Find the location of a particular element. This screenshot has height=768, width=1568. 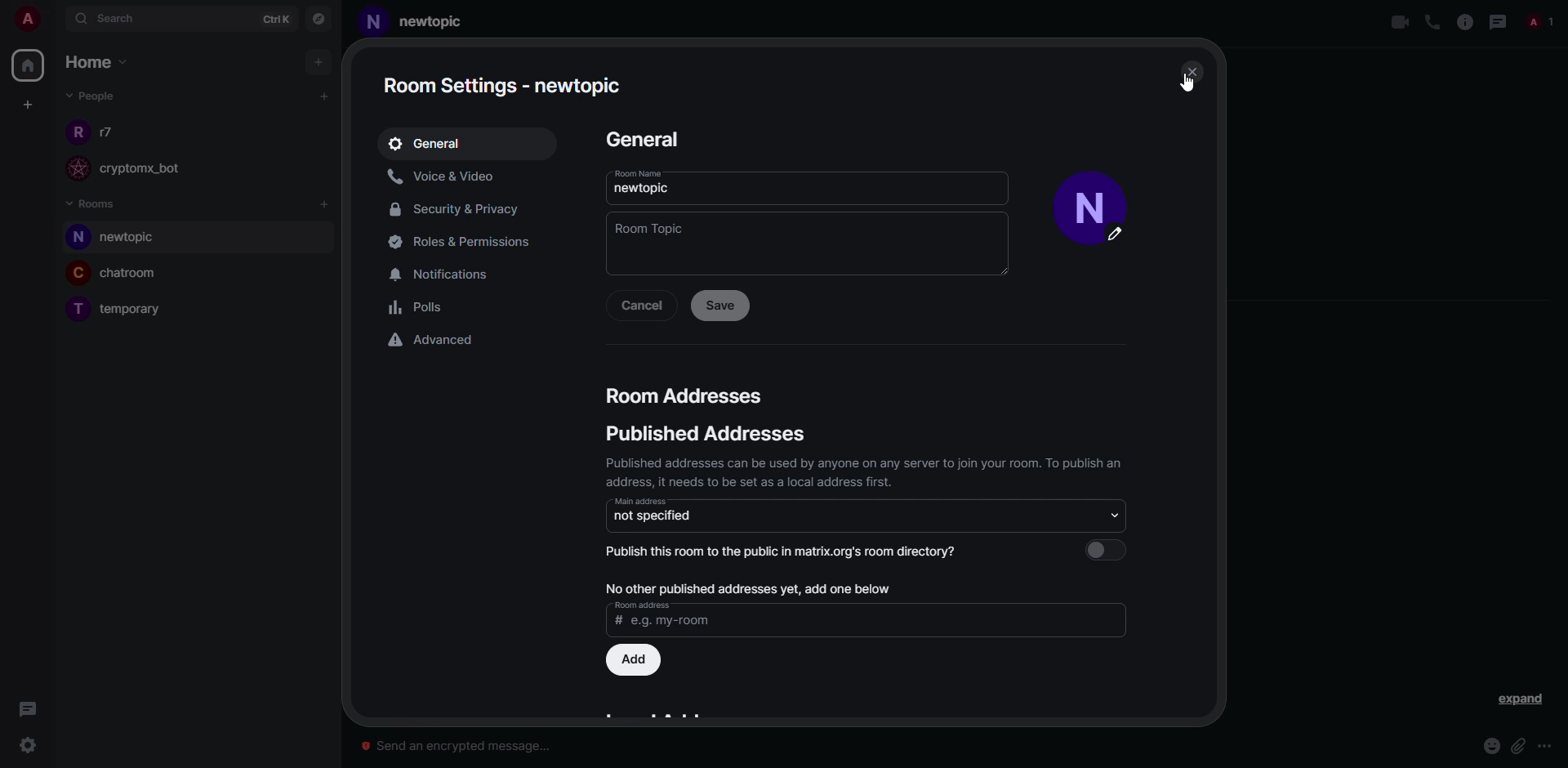

room name changed is located at coordinates (506, 85).